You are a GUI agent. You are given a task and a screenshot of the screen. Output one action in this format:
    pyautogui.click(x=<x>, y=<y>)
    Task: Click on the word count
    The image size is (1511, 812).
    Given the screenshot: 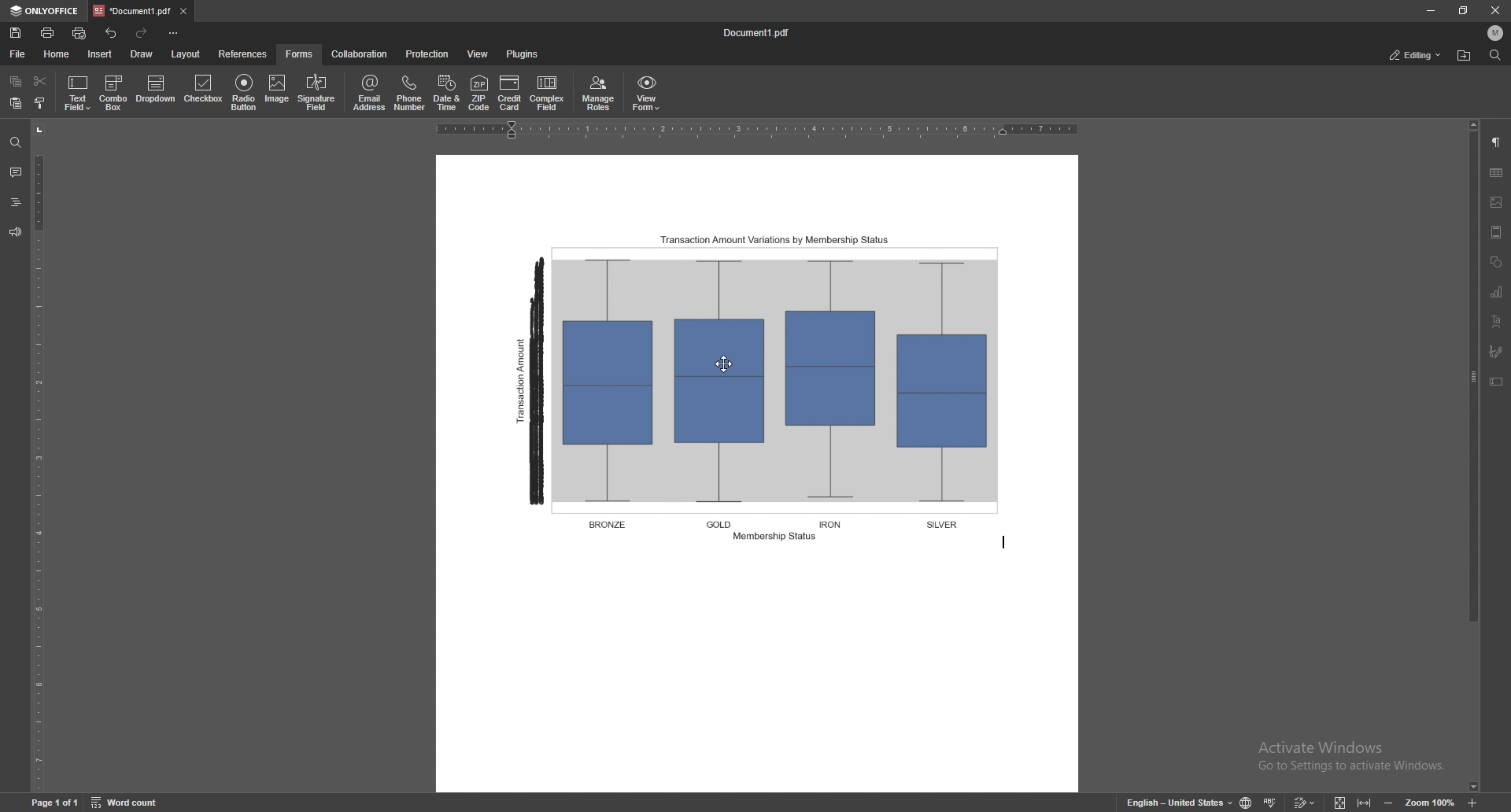 What is the action you would take?
    pyautogui.click(x=127, y=802)
    